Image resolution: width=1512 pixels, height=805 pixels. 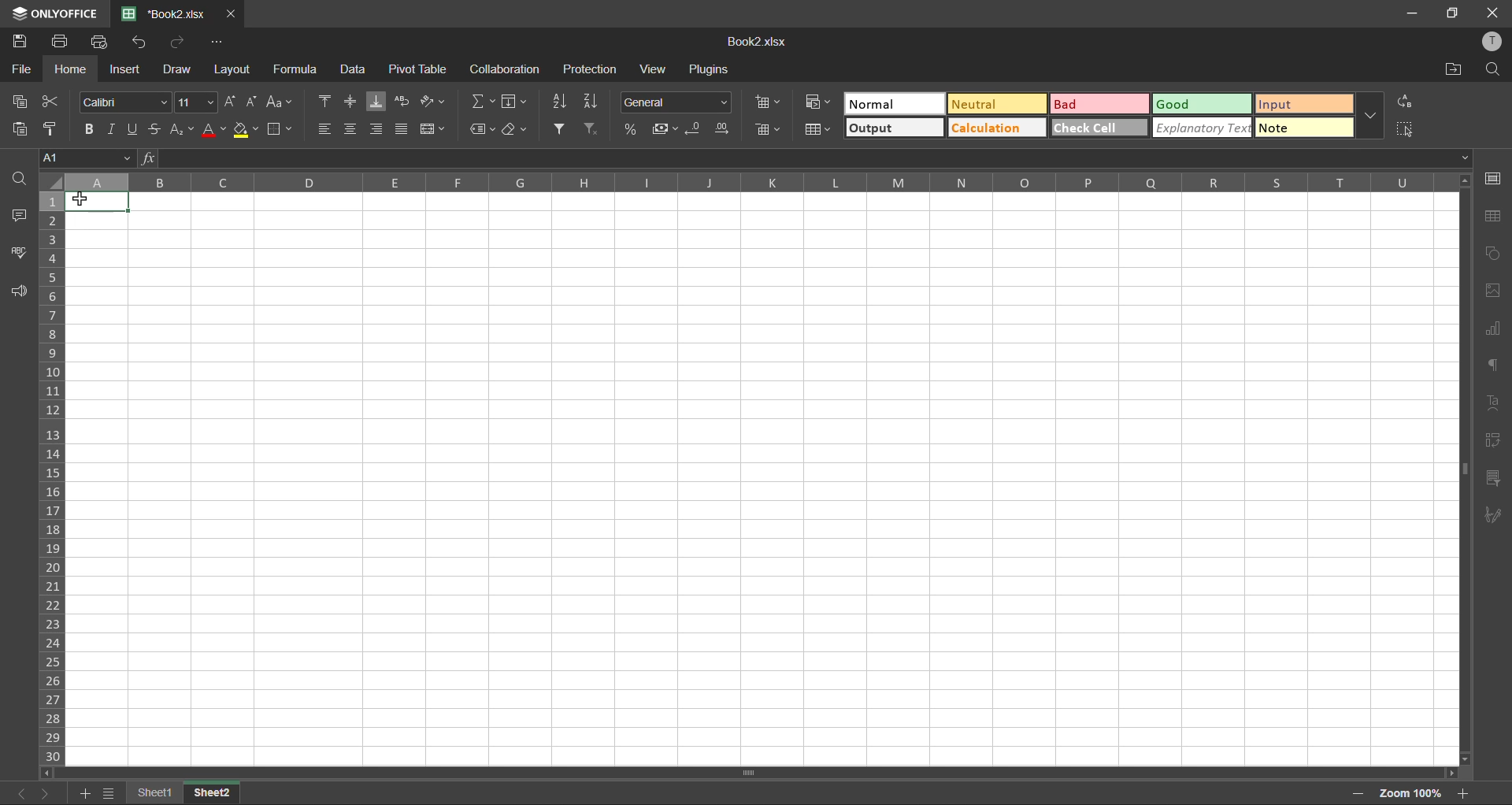 What do you see at coordinates (1493, 10) in the screenshot?
I see `close` at bounding box center [1493, 10].